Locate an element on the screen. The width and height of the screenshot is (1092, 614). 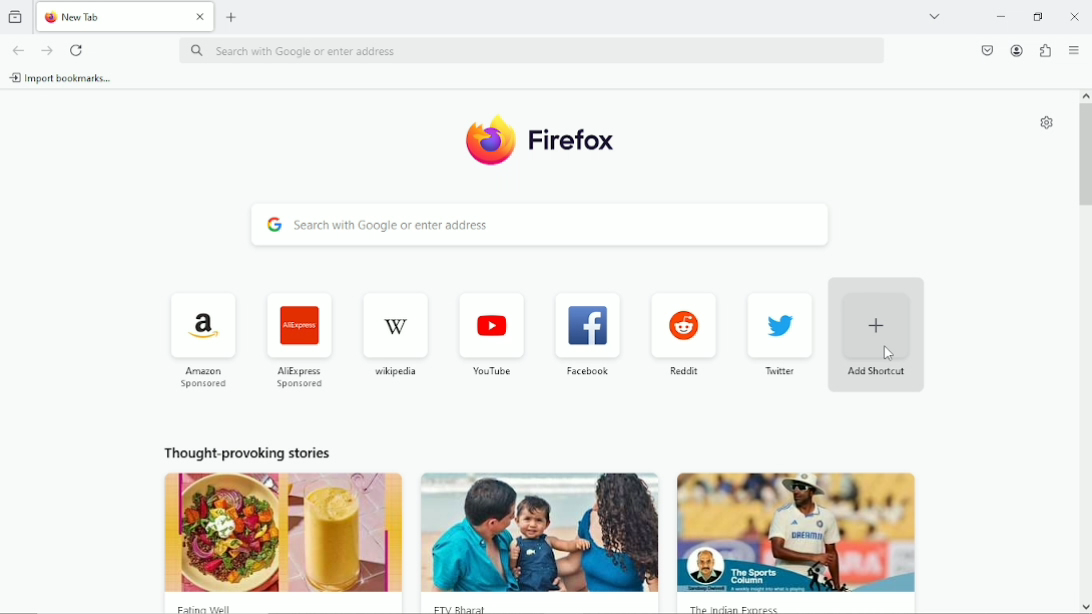
list all tabs is located at coordinates (934, 15).